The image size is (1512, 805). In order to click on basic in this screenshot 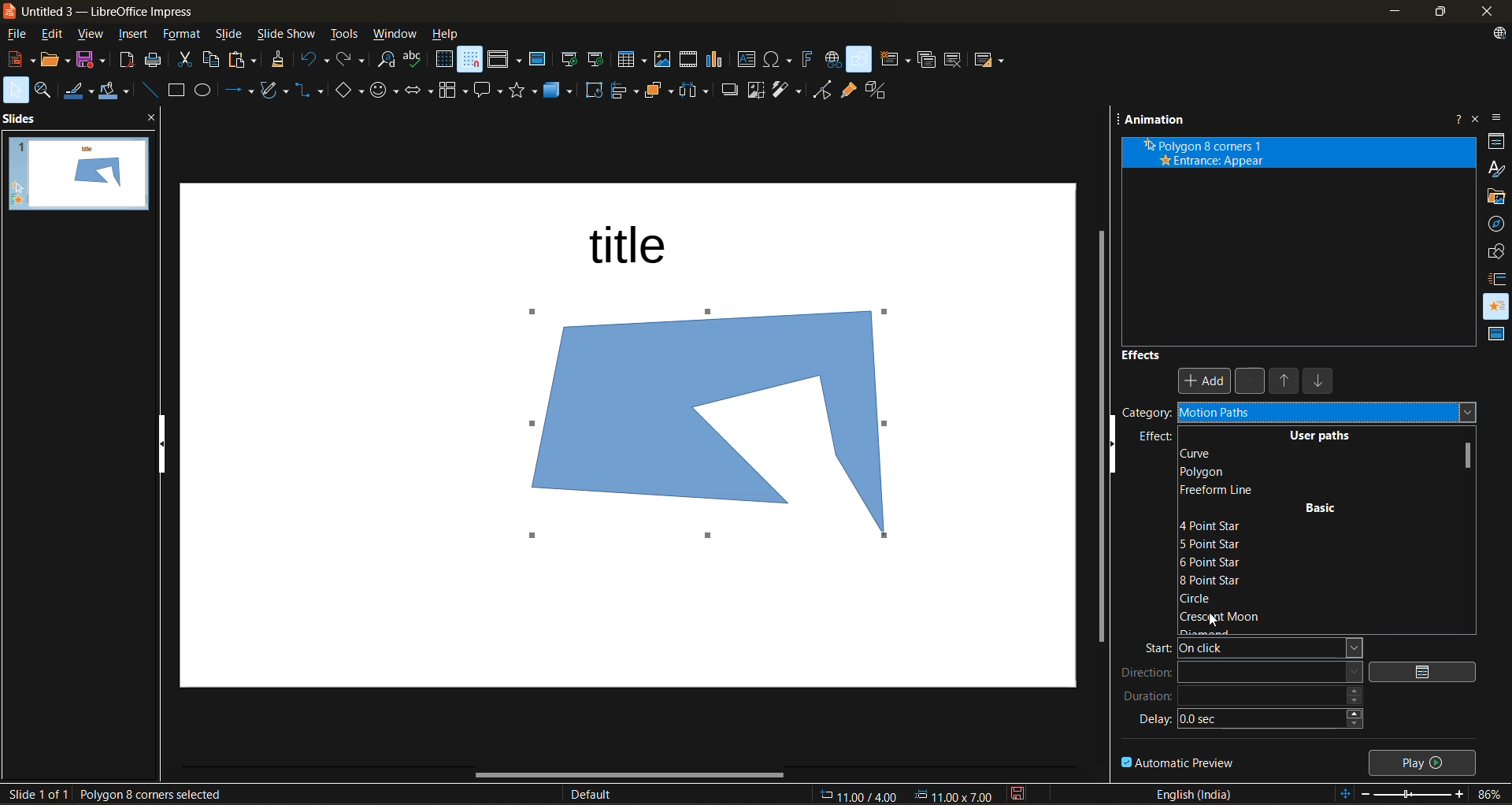, I will do `click(1321, 510)`.